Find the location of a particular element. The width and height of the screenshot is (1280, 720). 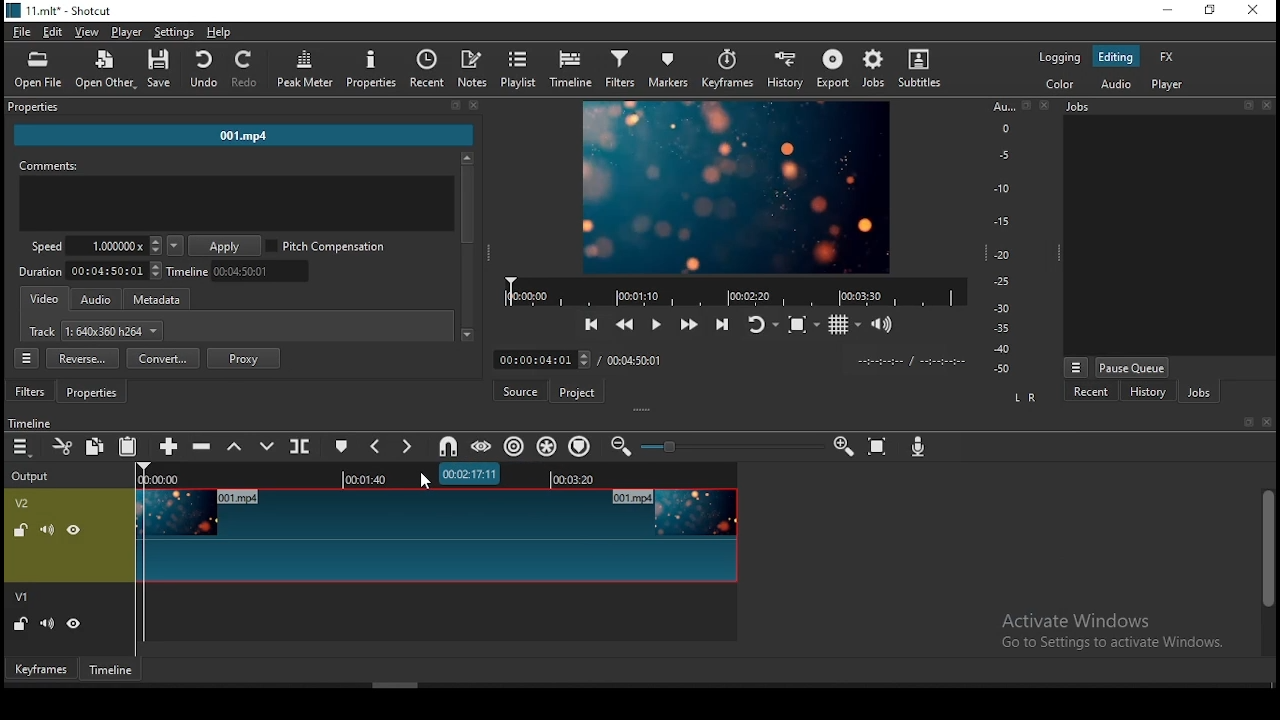

pitch compensation is located at coordinates (327, 247).